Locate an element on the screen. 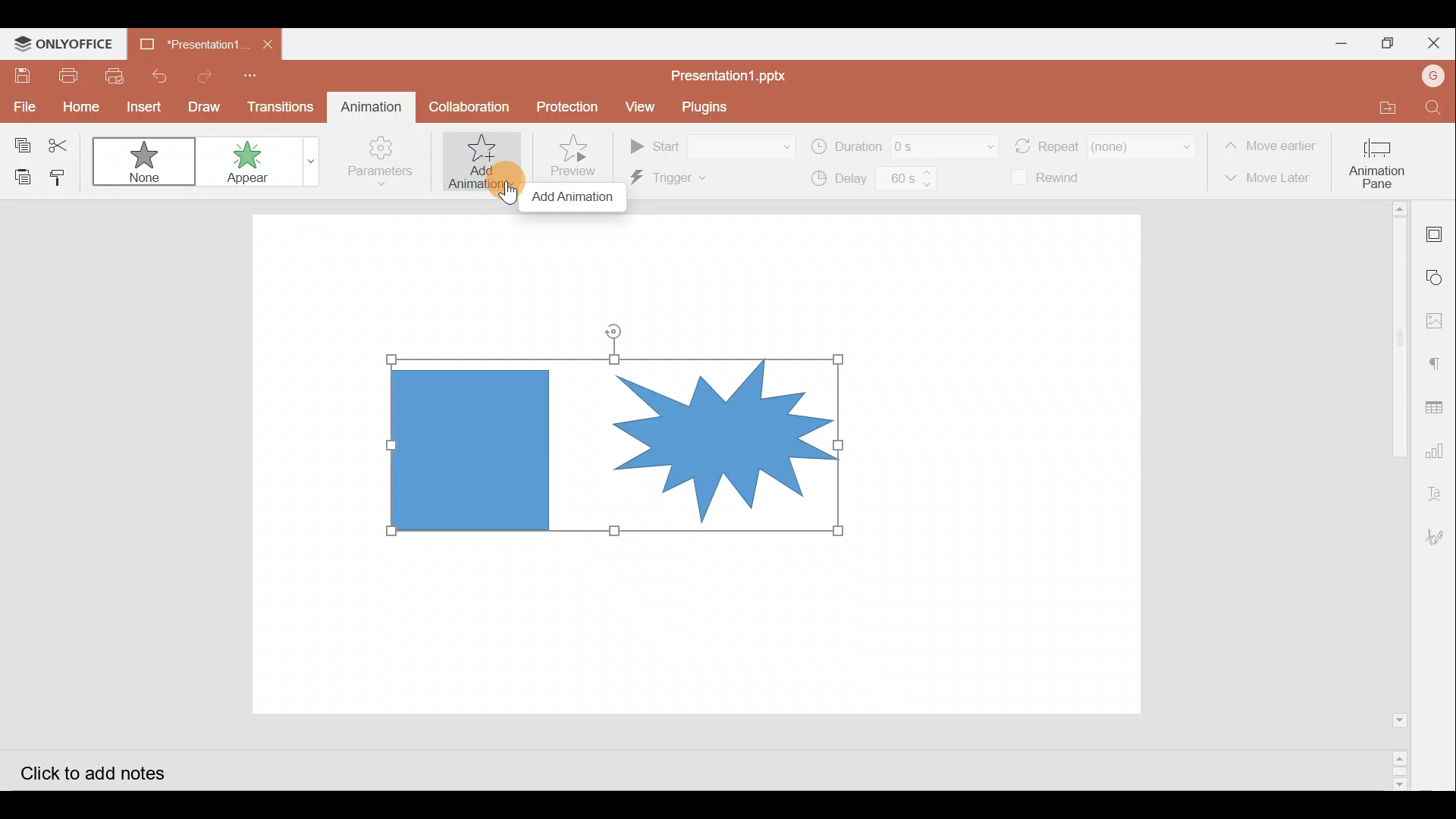 The width and height of the screenshot is (1456, 819). Save is located at coordinates (22, 76).